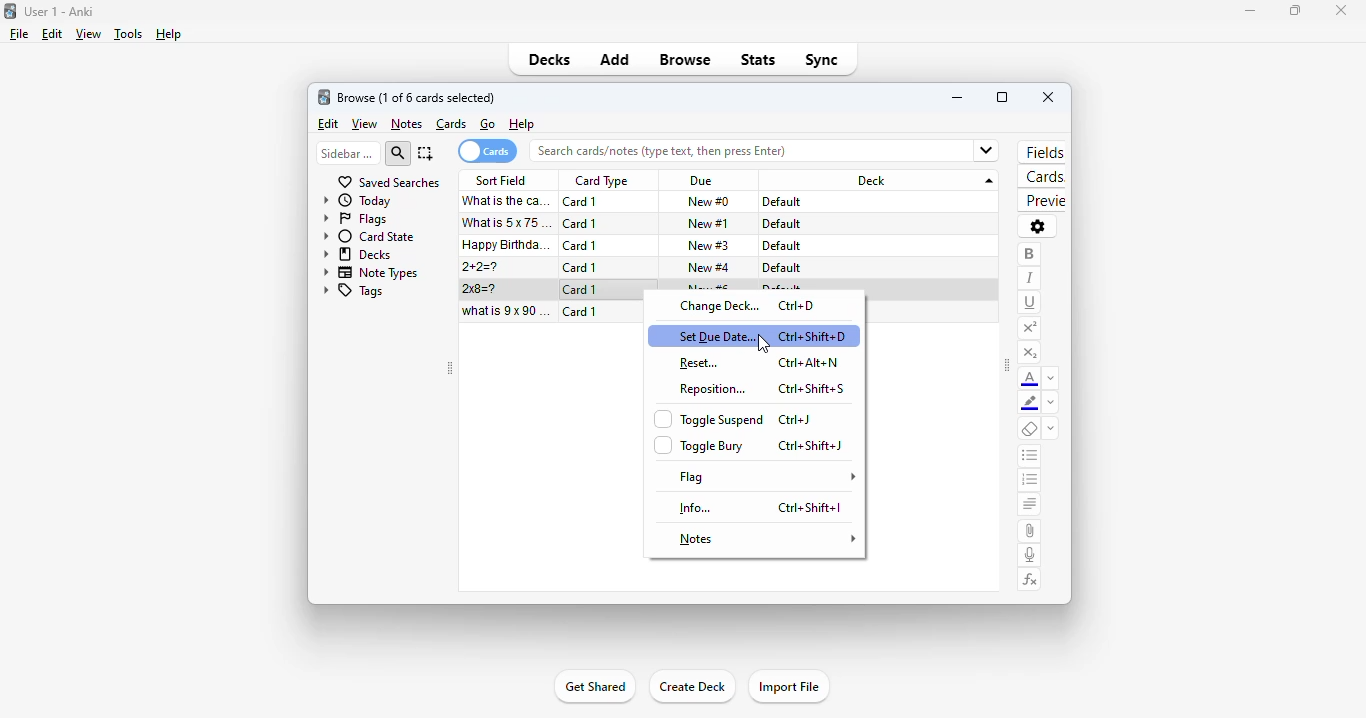 Image resolution: width=1366 pixels, height=718 pixels. Describe the element at coordinates (1007, 367) in the screenshot. I see `toggle sidebar` at that location.